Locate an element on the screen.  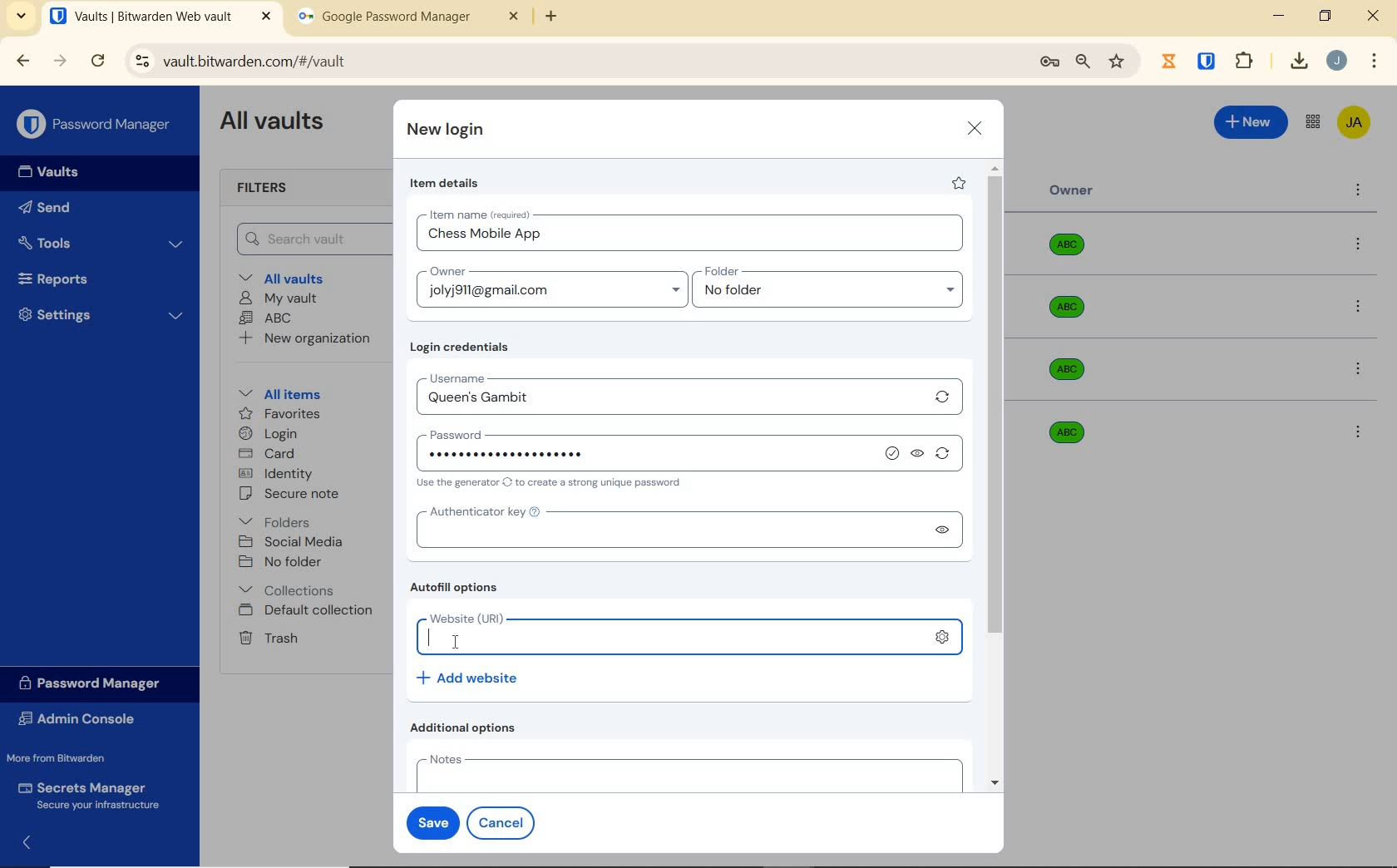
New organization is located at coordinates (303, 338).